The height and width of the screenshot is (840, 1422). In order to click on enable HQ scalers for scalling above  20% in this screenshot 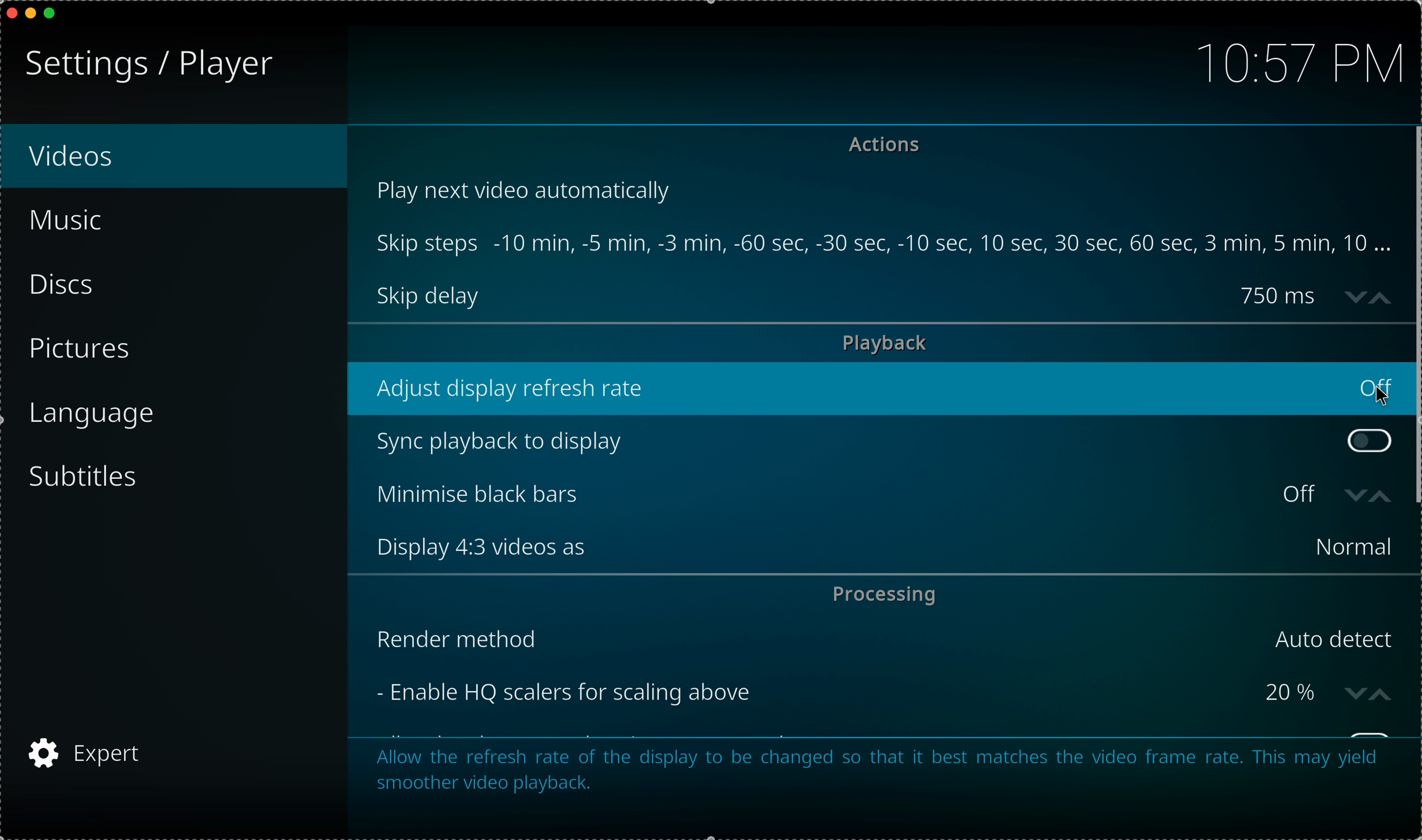, I will do `click(847, 692)`.